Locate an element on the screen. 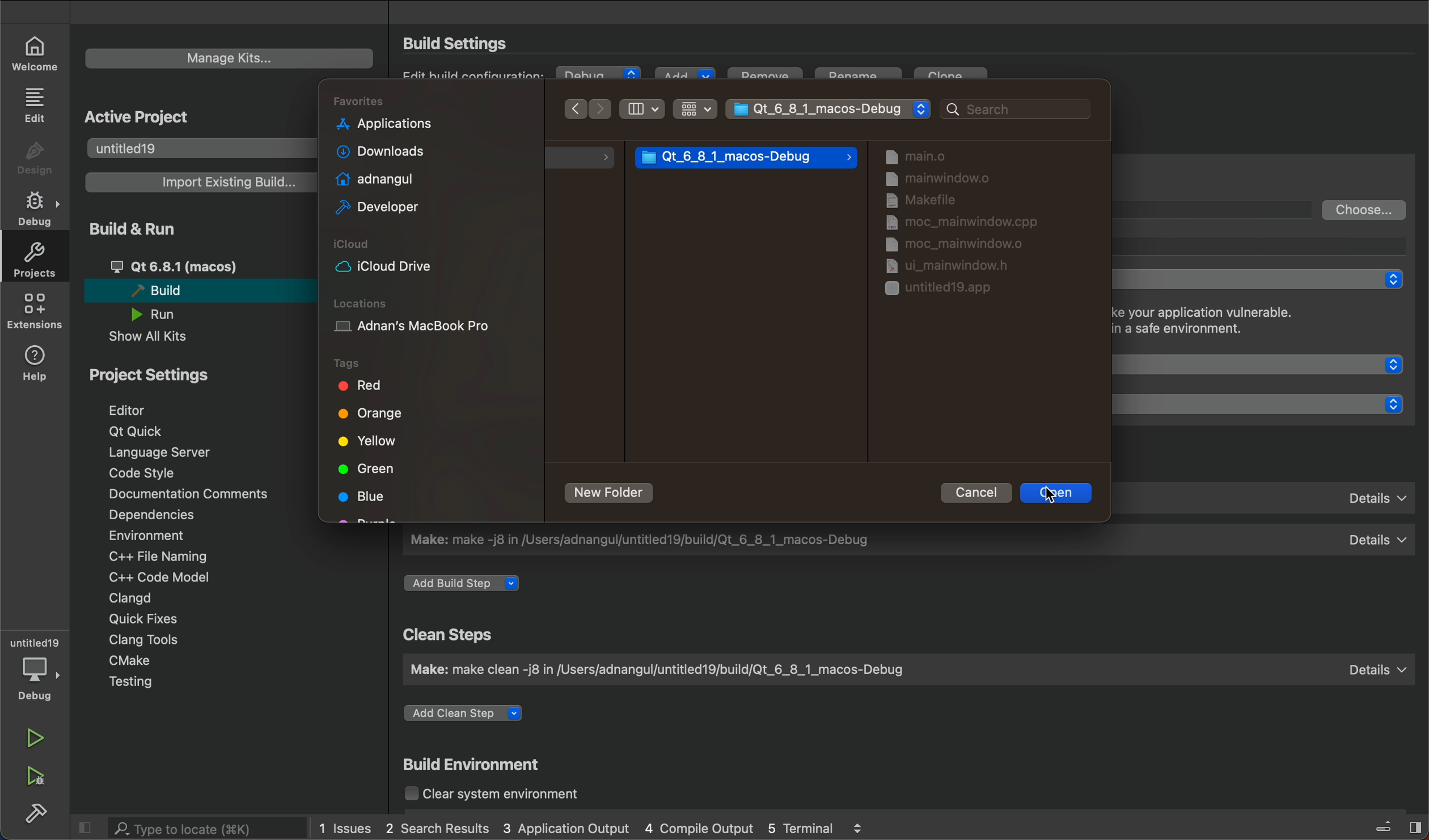 This screenshot has height=840, width=1429. add build step is located at coordinates (467, 584).